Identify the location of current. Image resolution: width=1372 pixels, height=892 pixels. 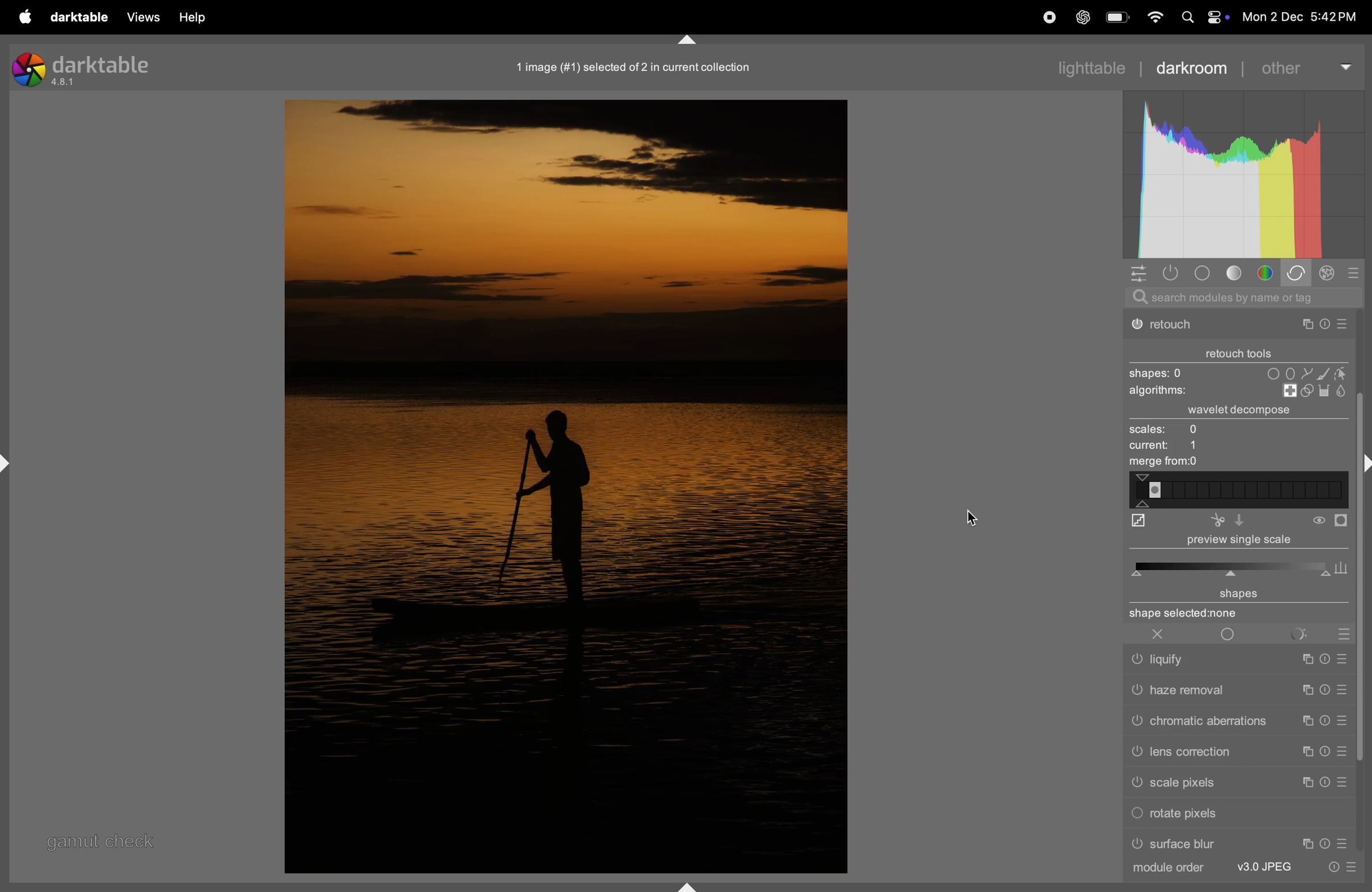
(1167, 447).